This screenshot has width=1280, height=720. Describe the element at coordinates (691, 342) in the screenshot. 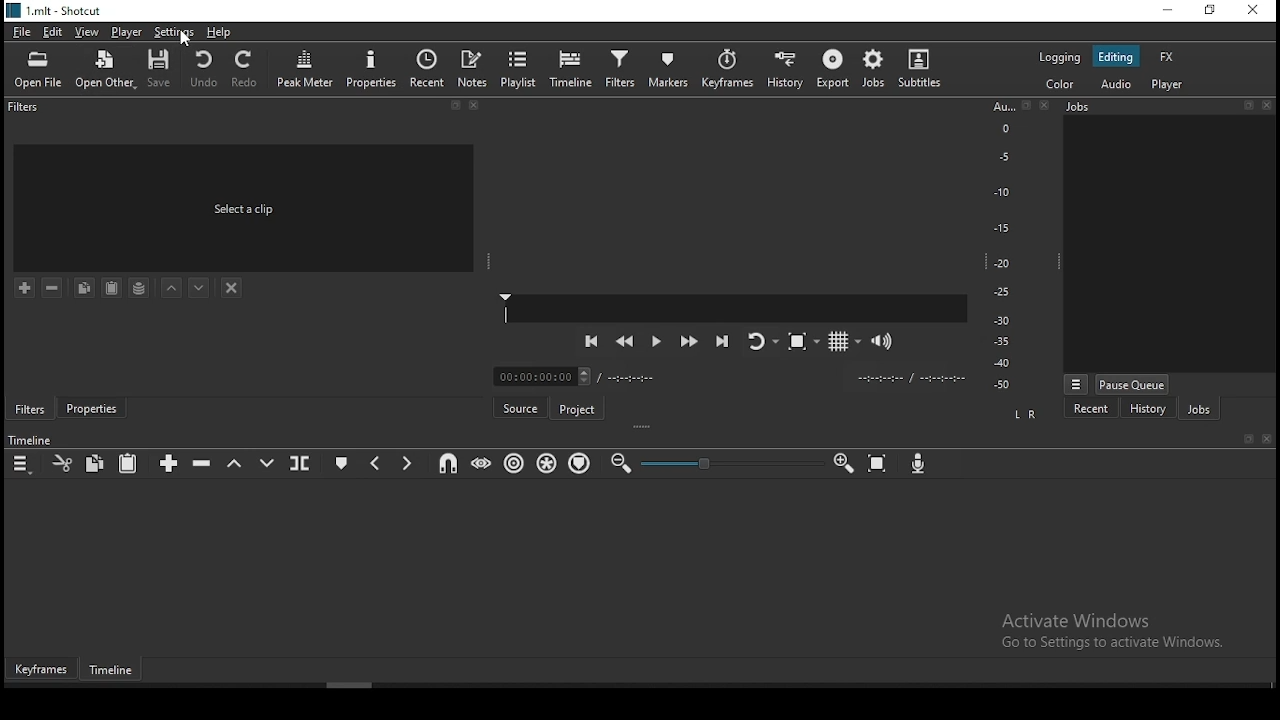

I see `play quickly forwards` at that location.